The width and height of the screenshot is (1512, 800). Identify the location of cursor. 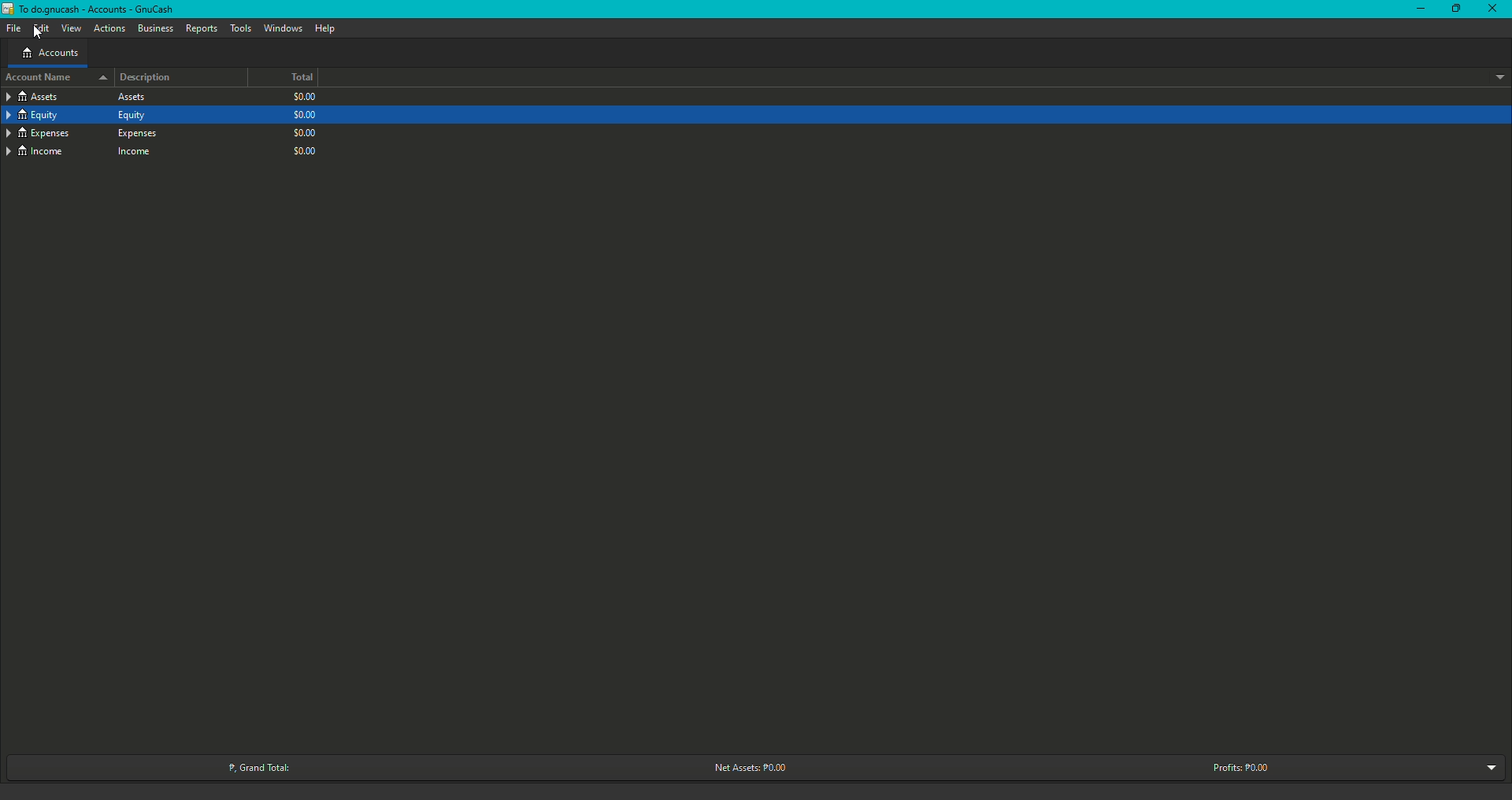
(37, 33).